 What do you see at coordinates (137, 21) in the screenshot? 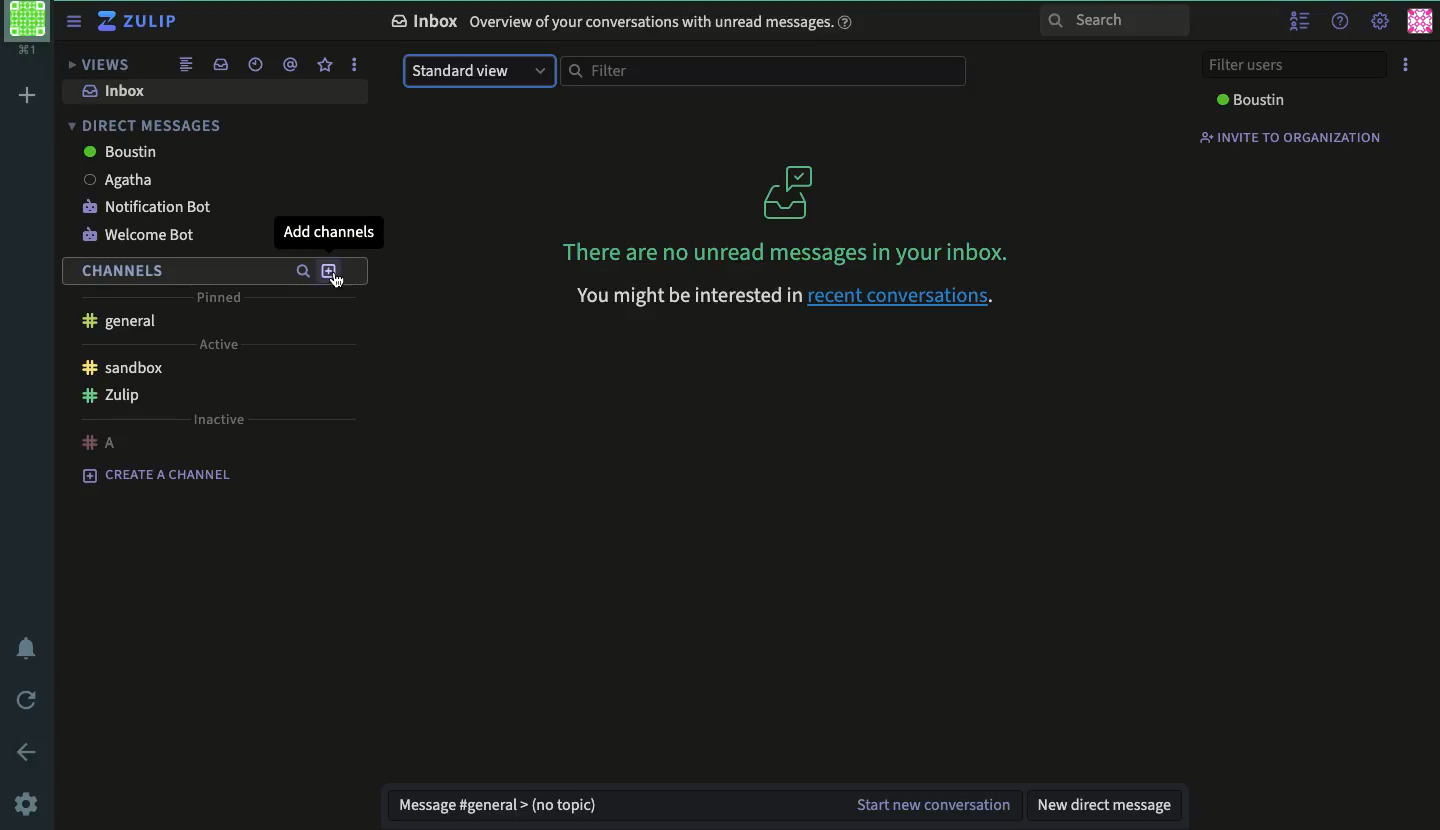
I see `Zulip` at bounding box center [137, 21].